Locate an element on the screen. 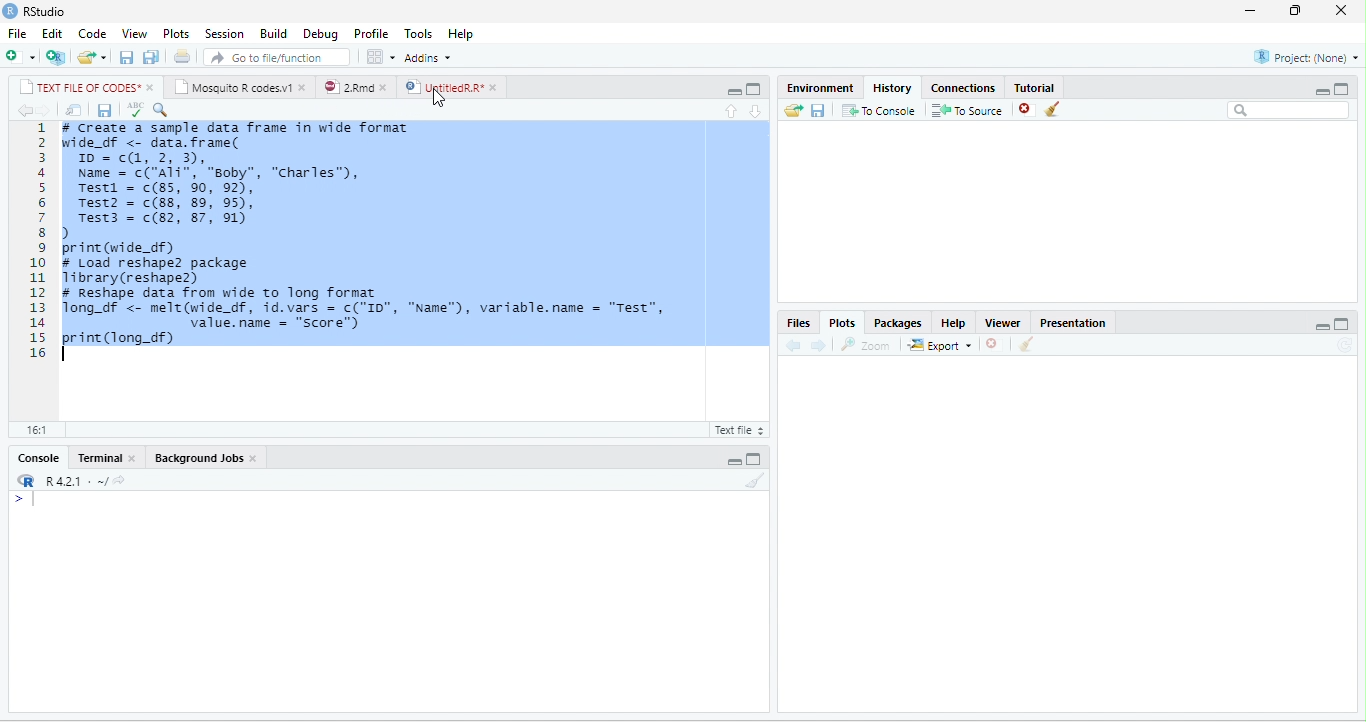 Image resolution: width=1366 pixels, height=722 pixels. maximize is located at coordinates (1343, 324).